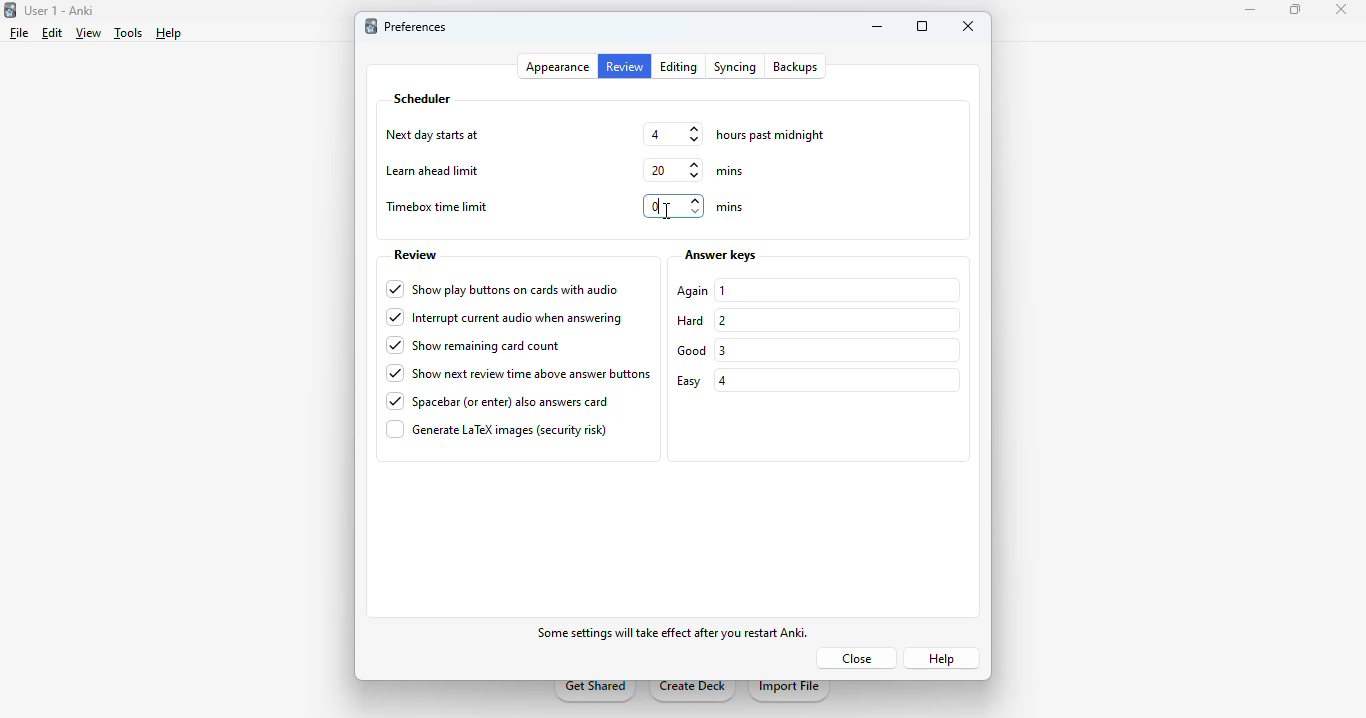 Image resolution: width=1366 pixels, height=718 pixels. Describe the element at coordinates (689, 382) in the screenshot. I see `easy` at that location.